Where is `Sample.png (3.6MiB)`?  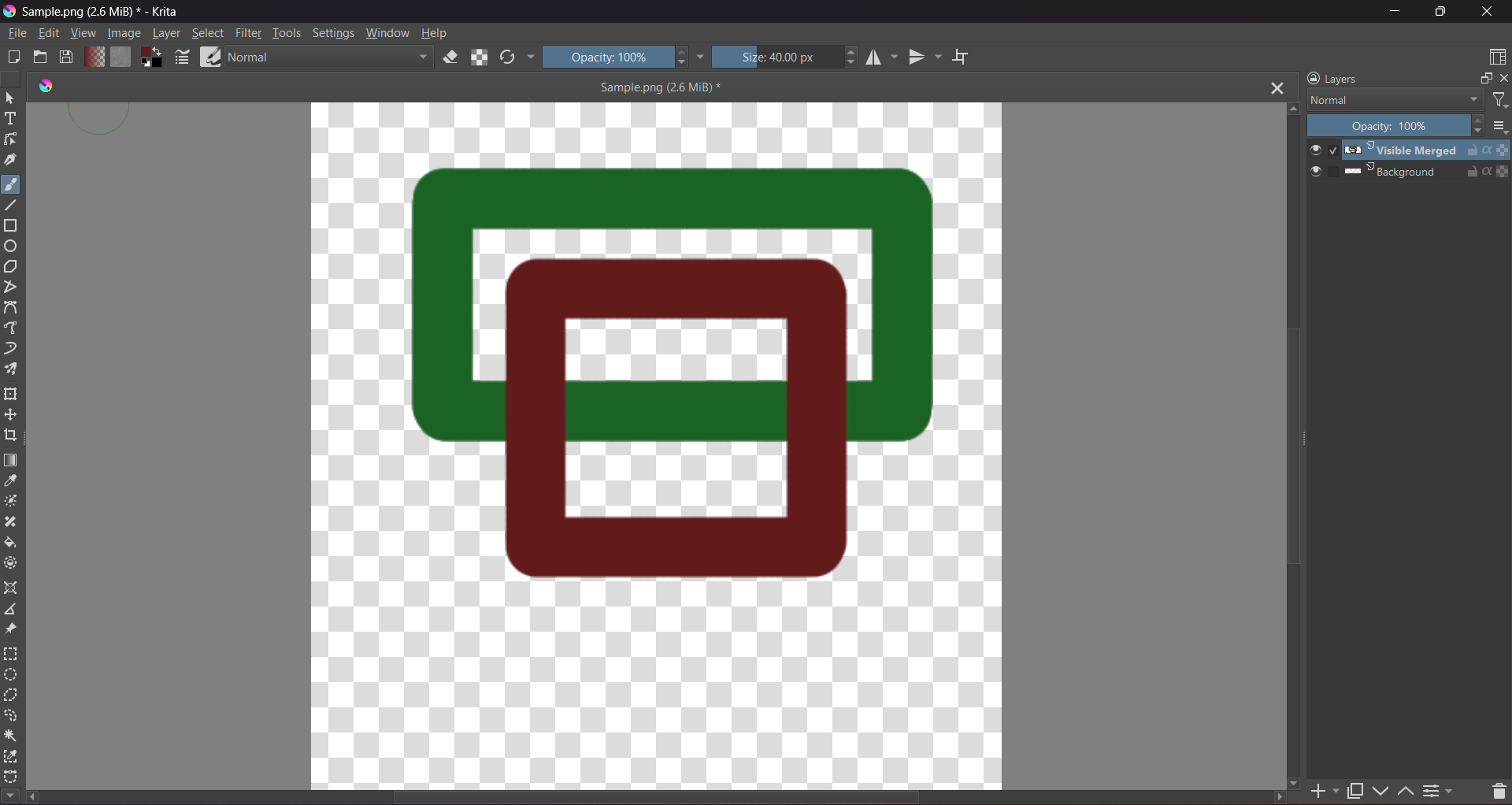 Sample.png (3.6MiB) is located at coordinates (659, 87).